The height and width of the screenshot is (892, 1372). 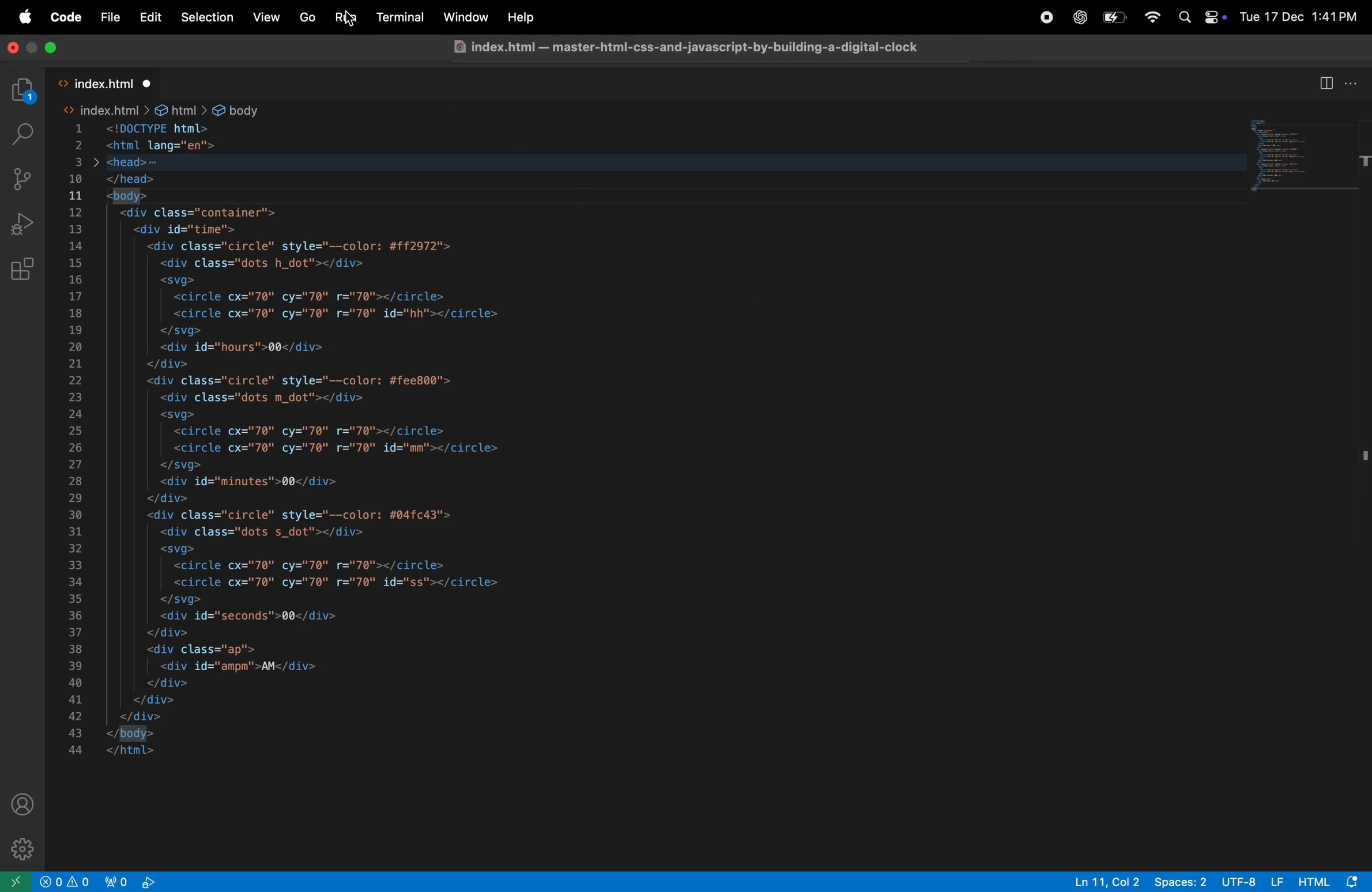 I want to click on Line Index, so click(x=76, y=445).